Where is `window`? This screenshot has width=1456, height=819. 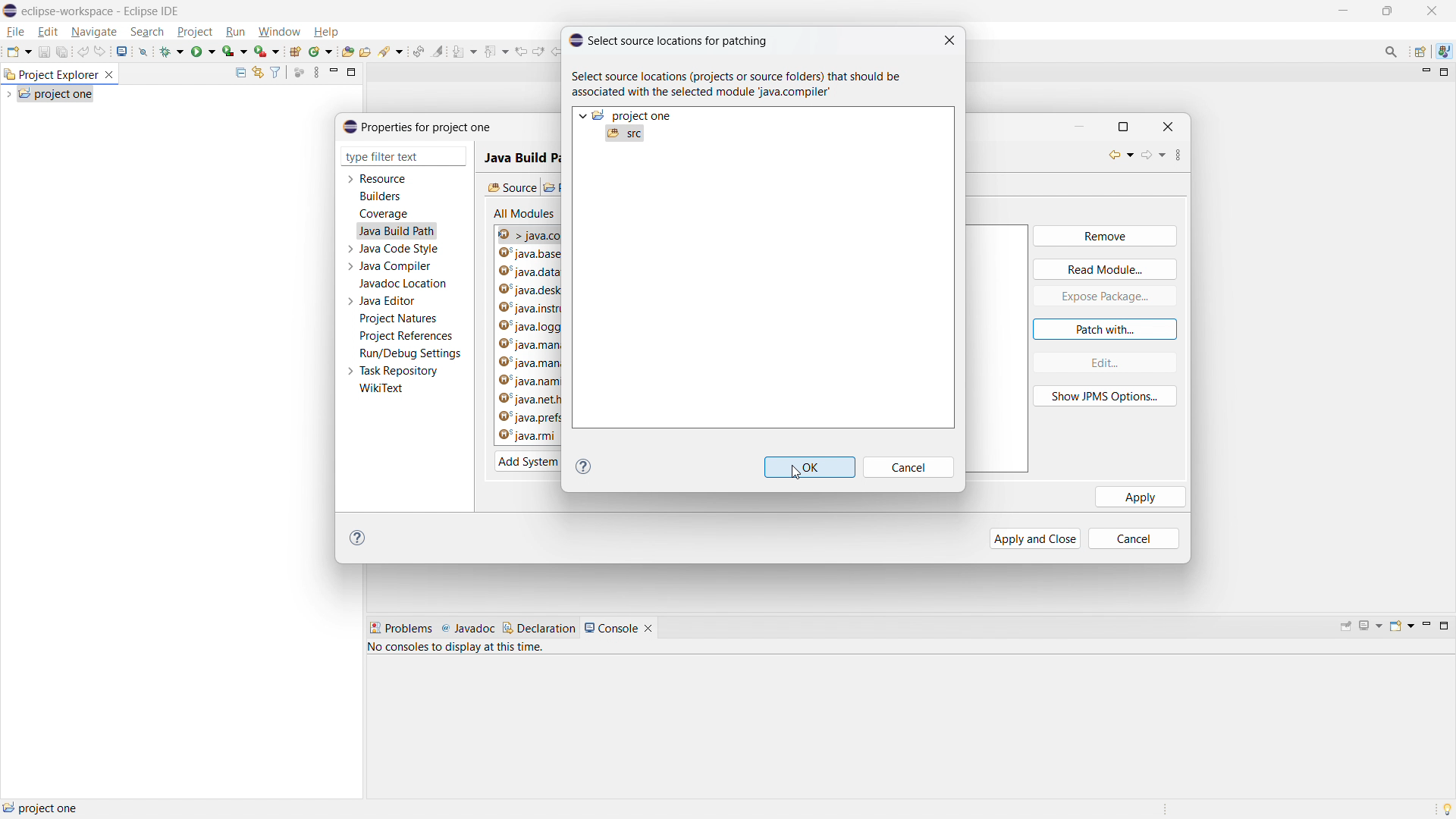
window is located at coordinates (278, 33).